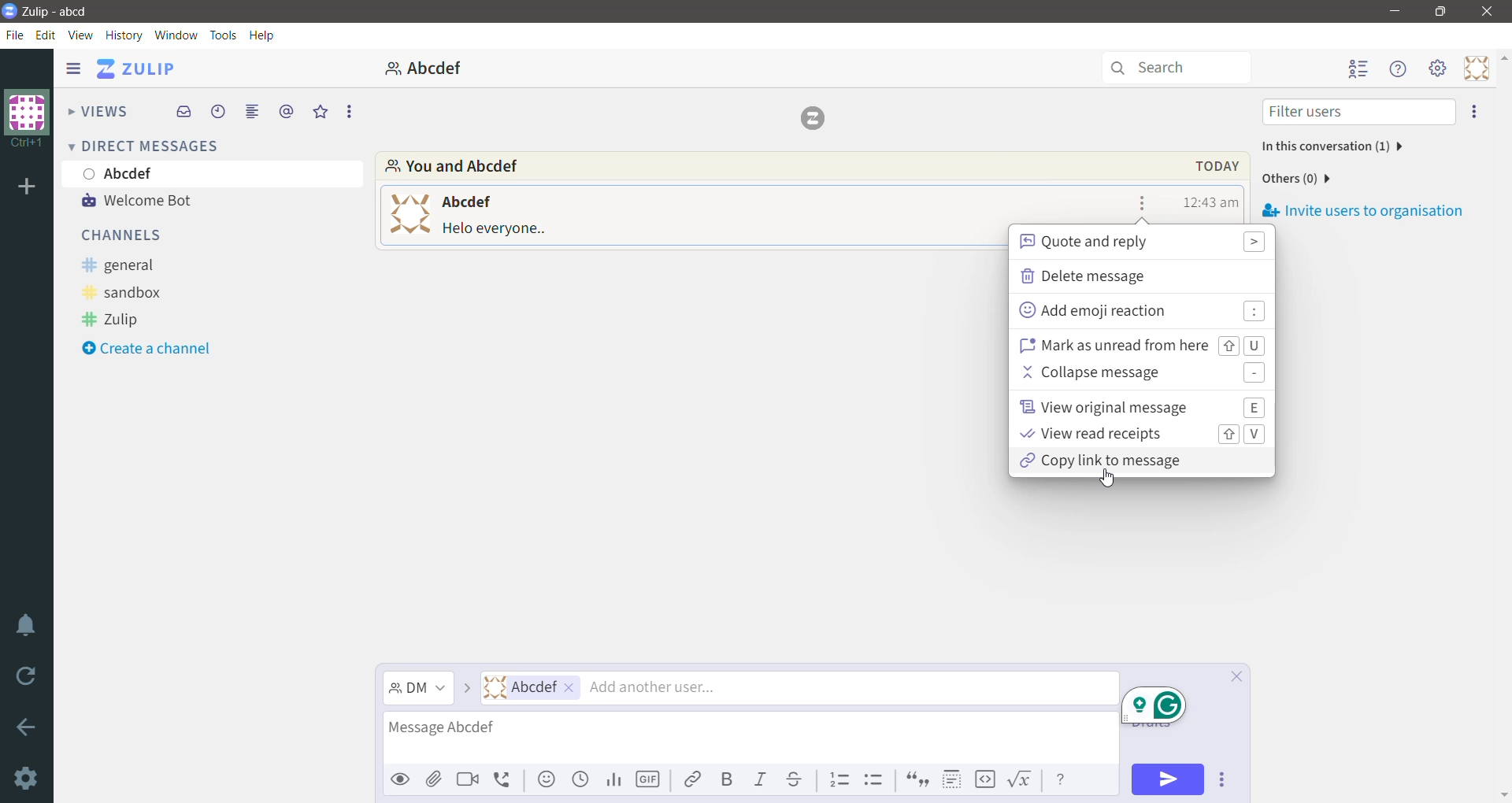  I want to click on logo, so click(817, 118).